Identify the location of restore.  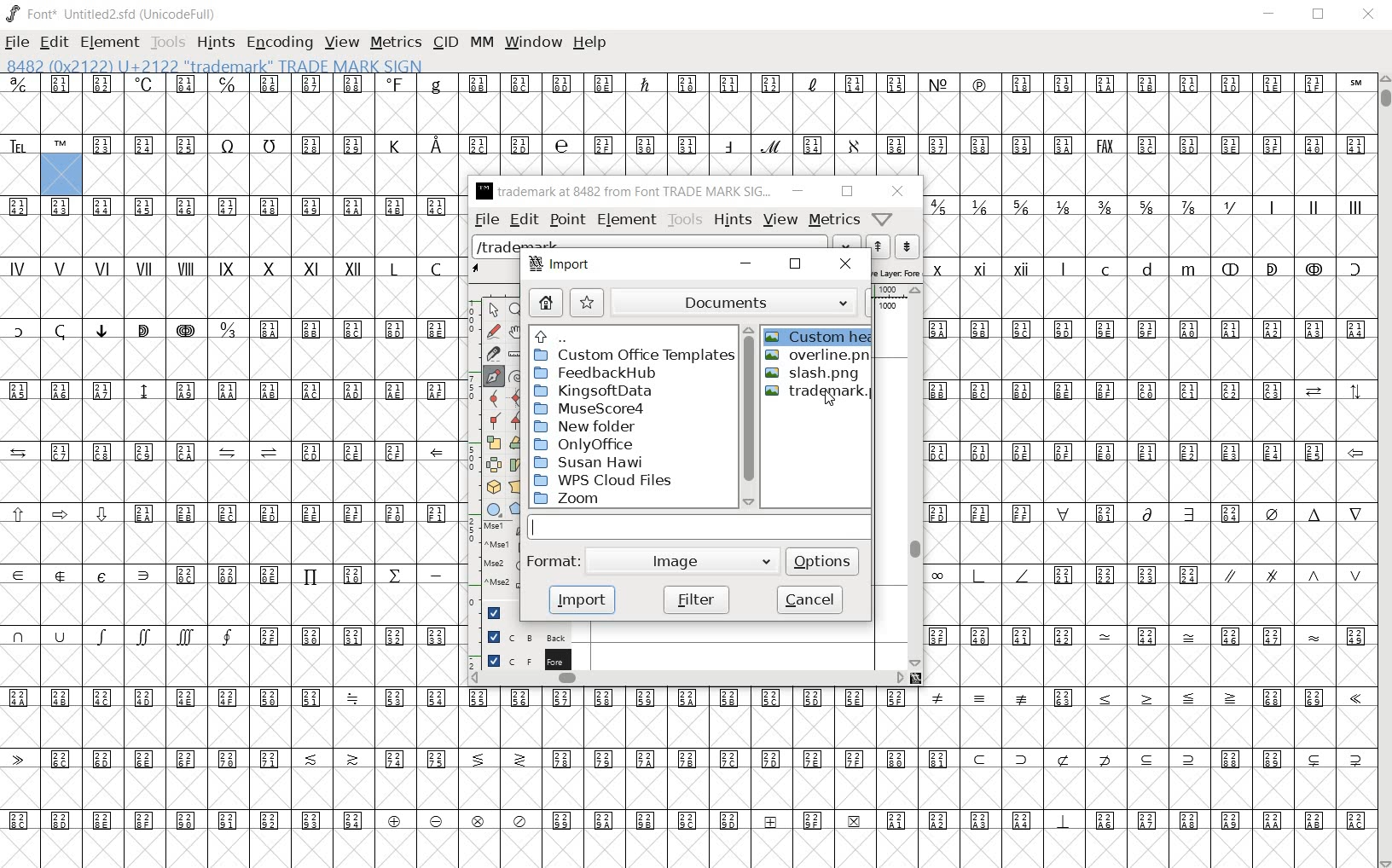
(848, 192).